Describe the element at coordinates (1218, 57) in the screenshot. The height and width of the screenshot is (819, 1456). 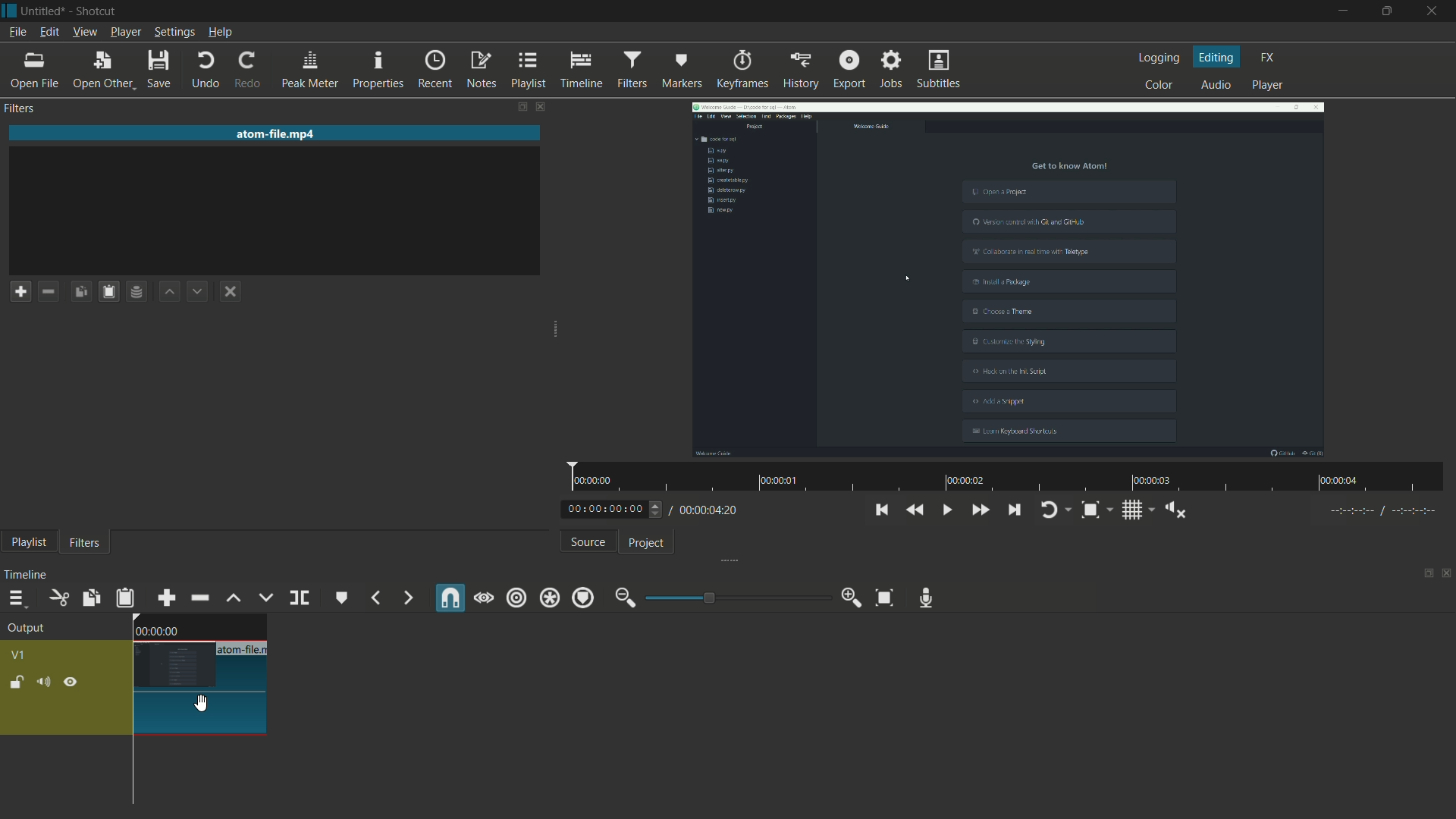
I see `editing` at that location.